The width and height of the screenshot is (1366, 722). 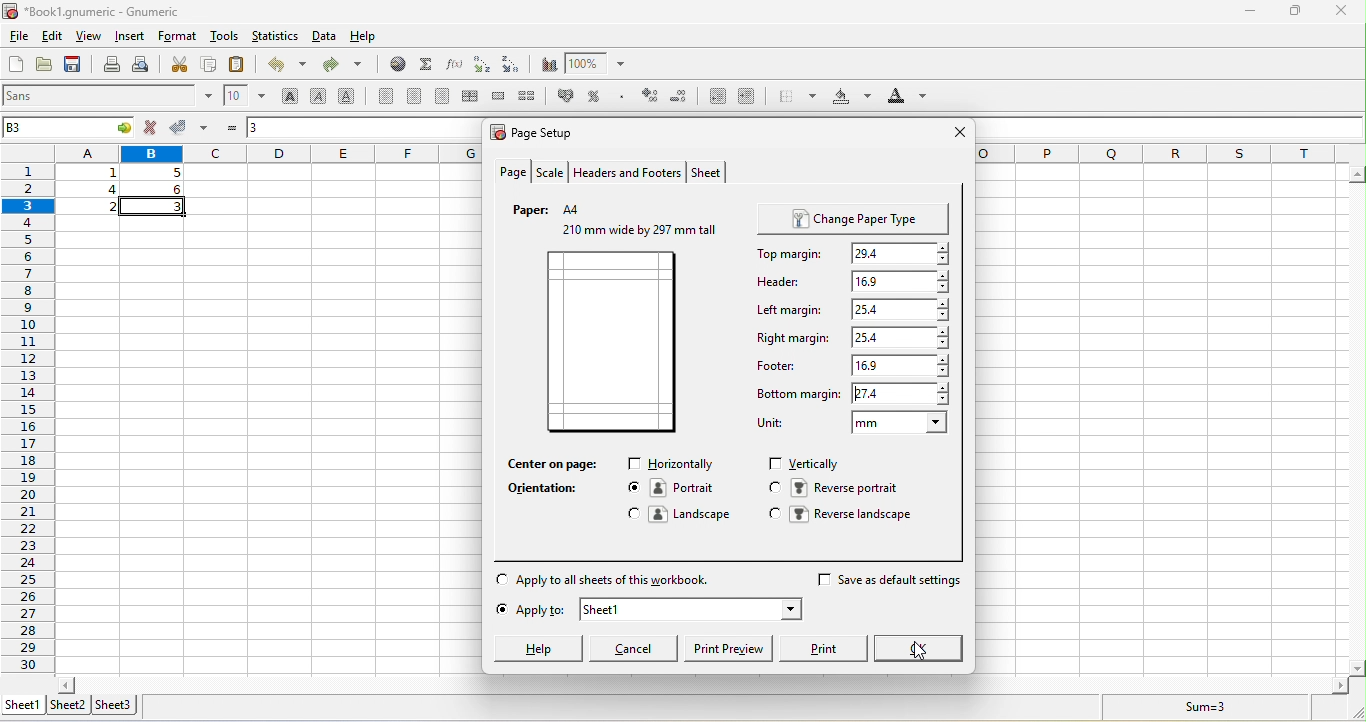 What do you see at coordinates (1357, 421) in the screenshot?
I see `vertical scroll bar` at bounding box center [1357, 421].